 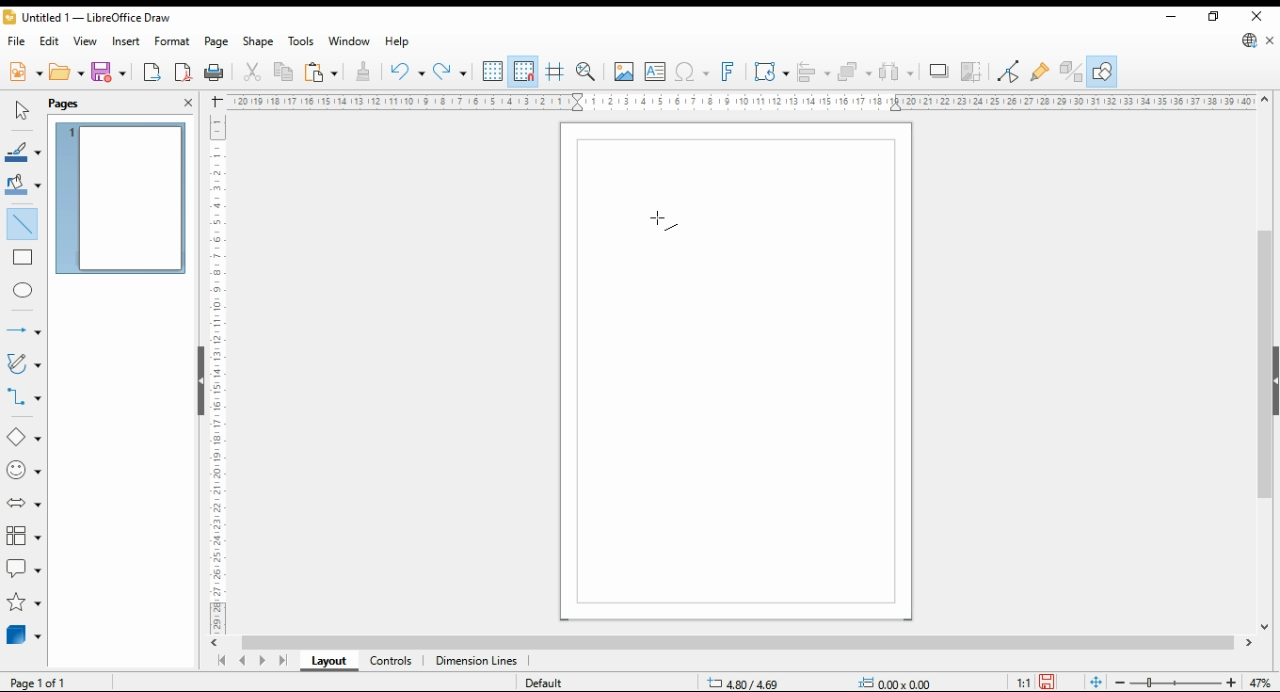 I want to click on screen size, so click(x=752, y=681).